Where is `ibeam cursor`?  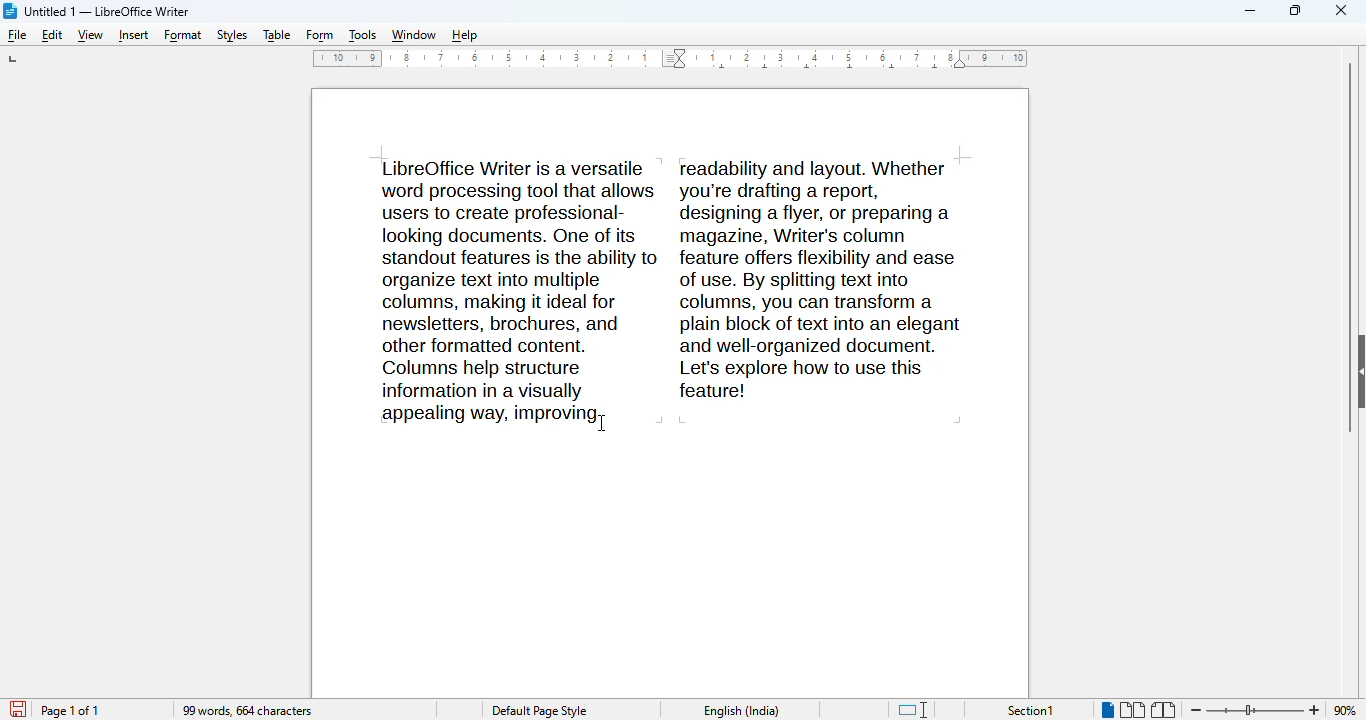 ibeam cursor is located at coordinates (607, 424).